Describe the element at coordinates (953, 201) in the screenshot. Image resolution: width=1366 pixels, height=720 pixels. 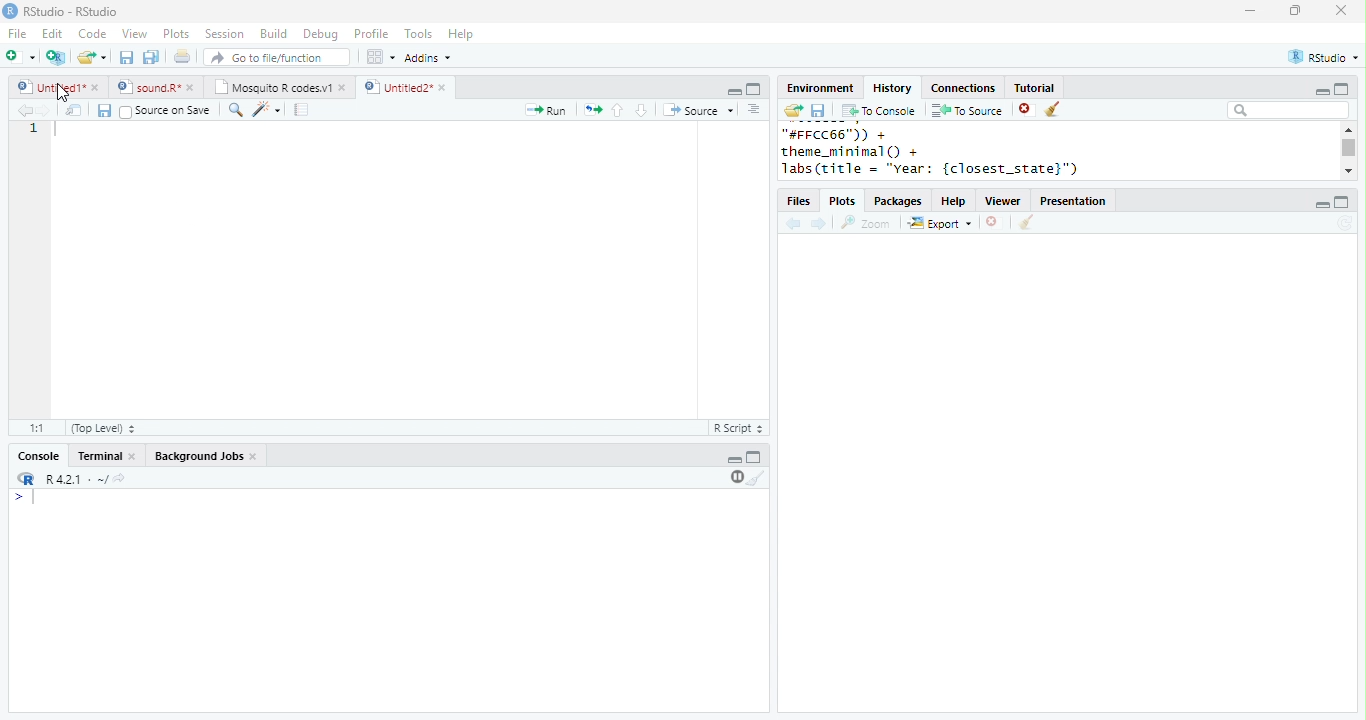
I see `Help` at that location.